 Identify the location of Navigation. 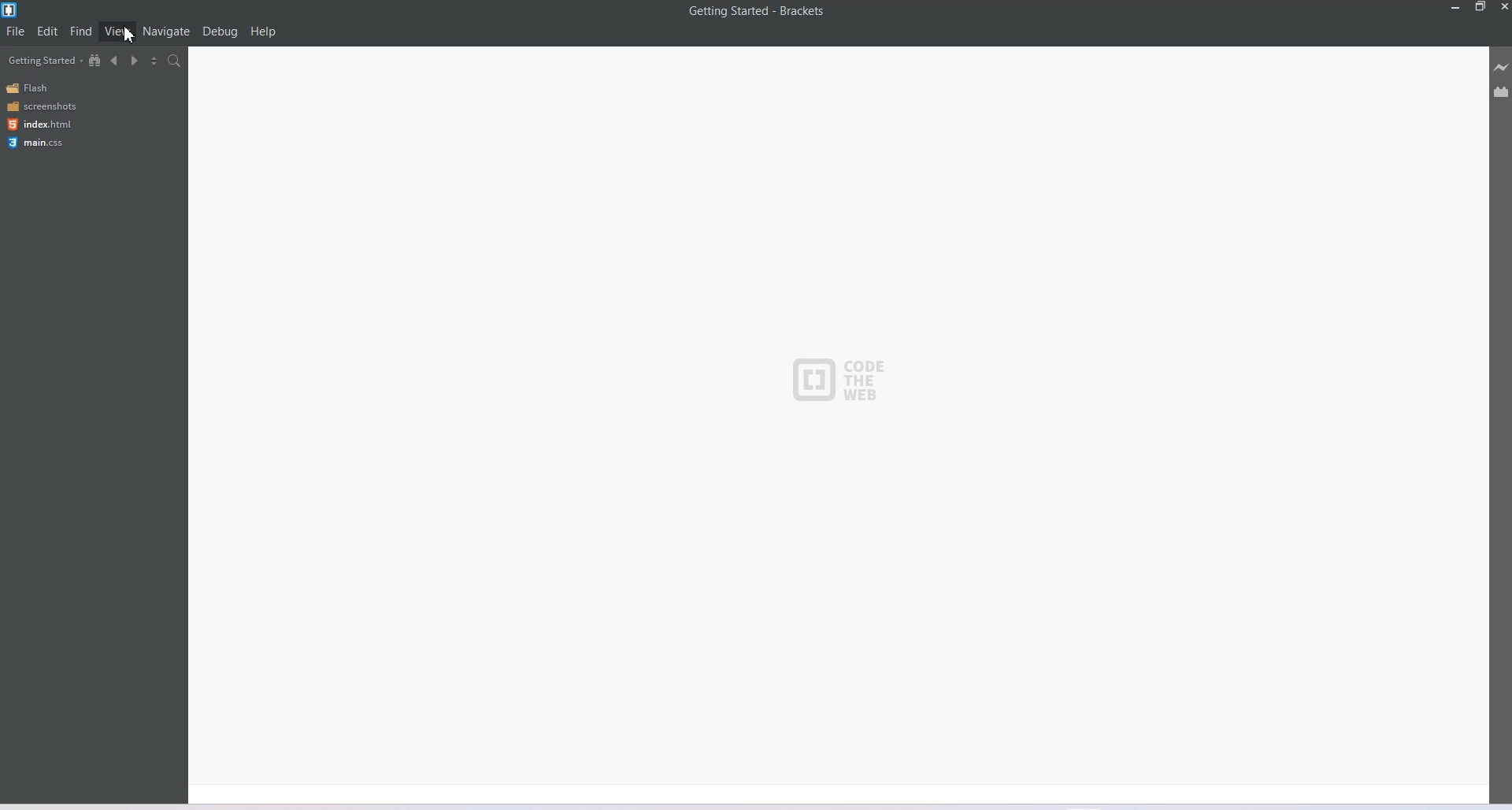
(167, 31).